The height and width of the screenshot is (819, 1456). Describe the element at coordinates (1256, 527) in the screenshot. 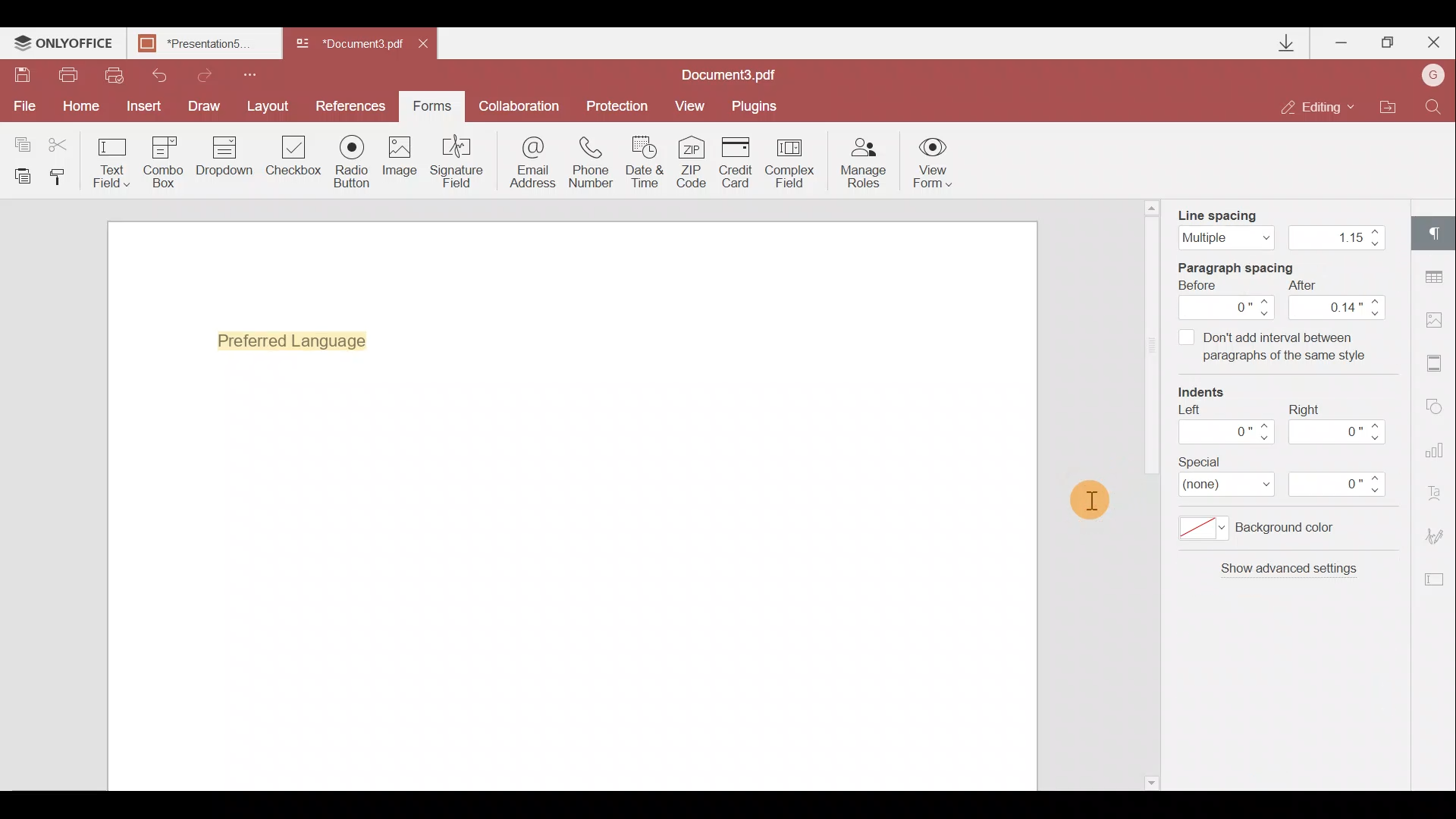

I see `Background color` at that location.